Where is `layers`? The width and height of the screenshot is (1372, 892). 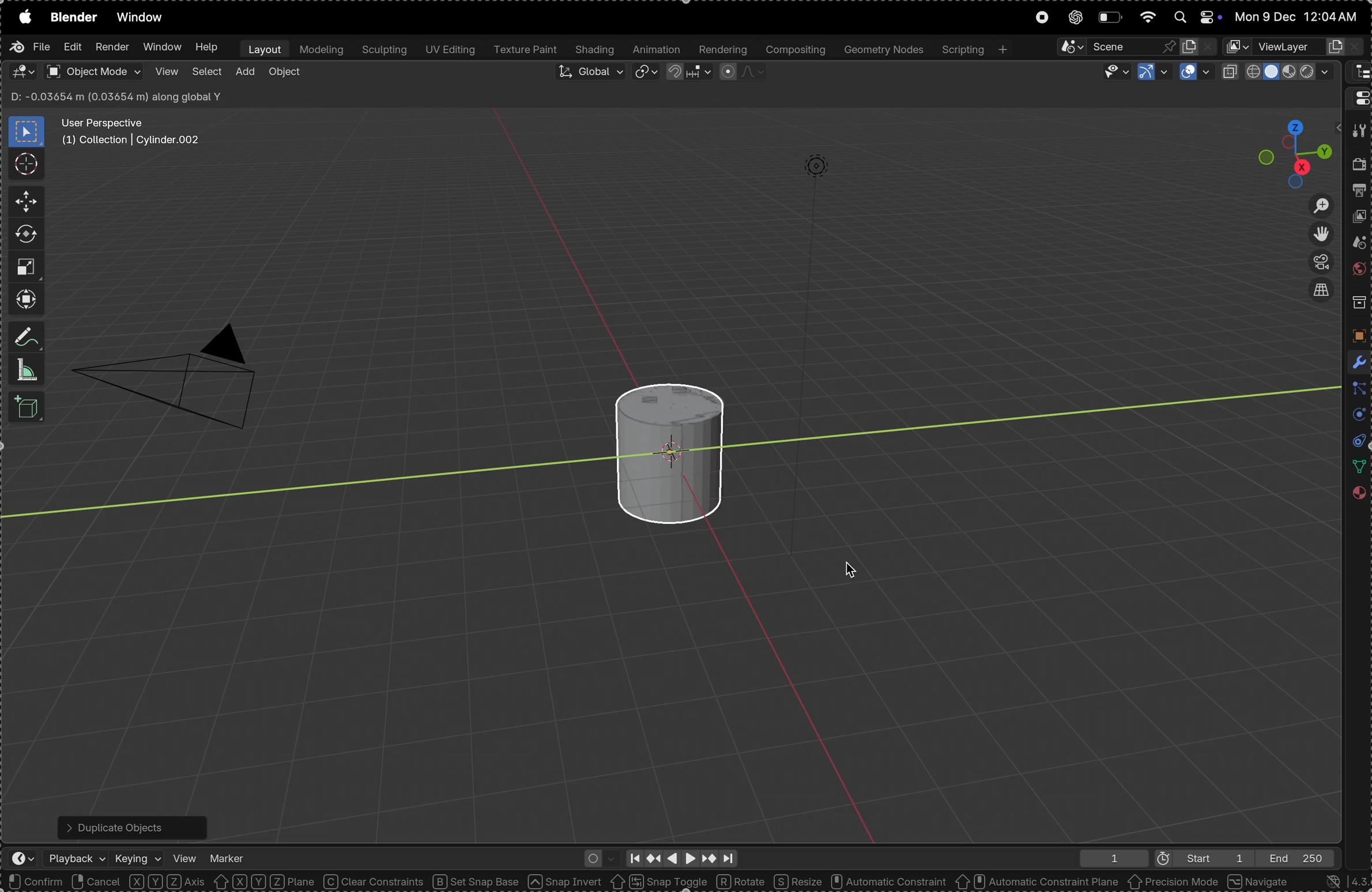
layers is located at coordinates (1355, 416).